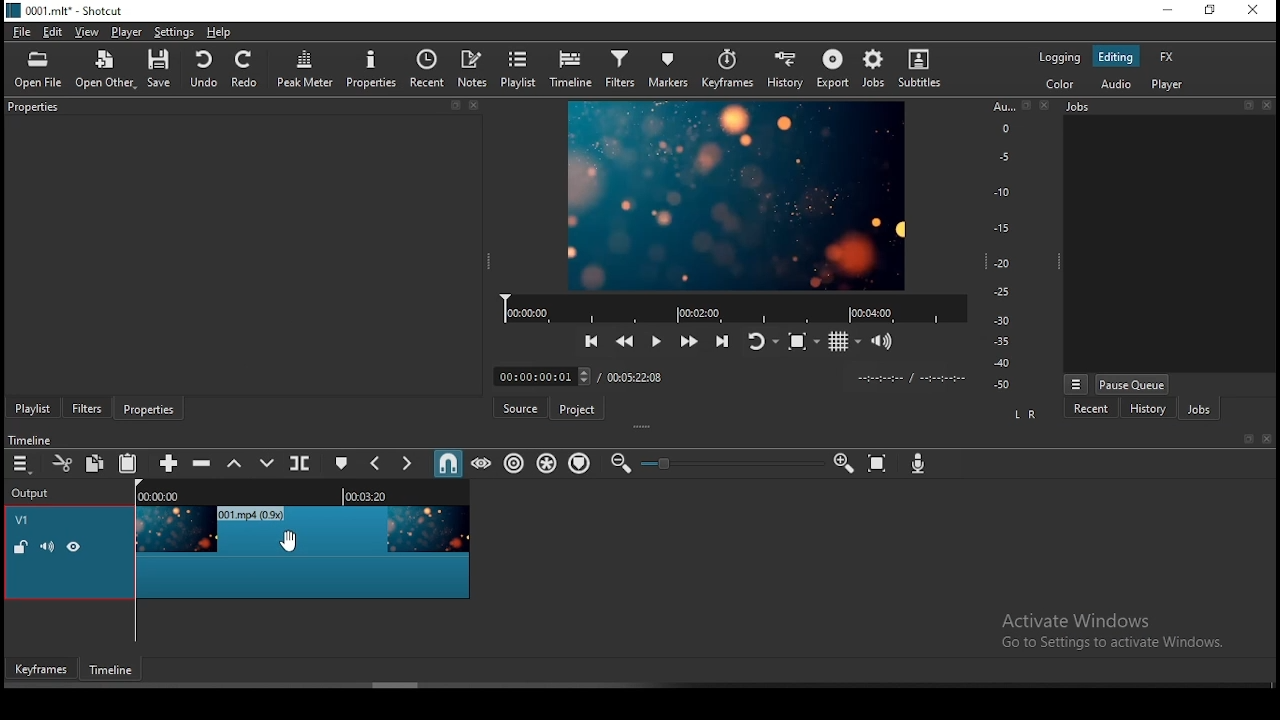 This screenshot has height=720, width=1280. I want to click on bookmark, so click(1243, 439).